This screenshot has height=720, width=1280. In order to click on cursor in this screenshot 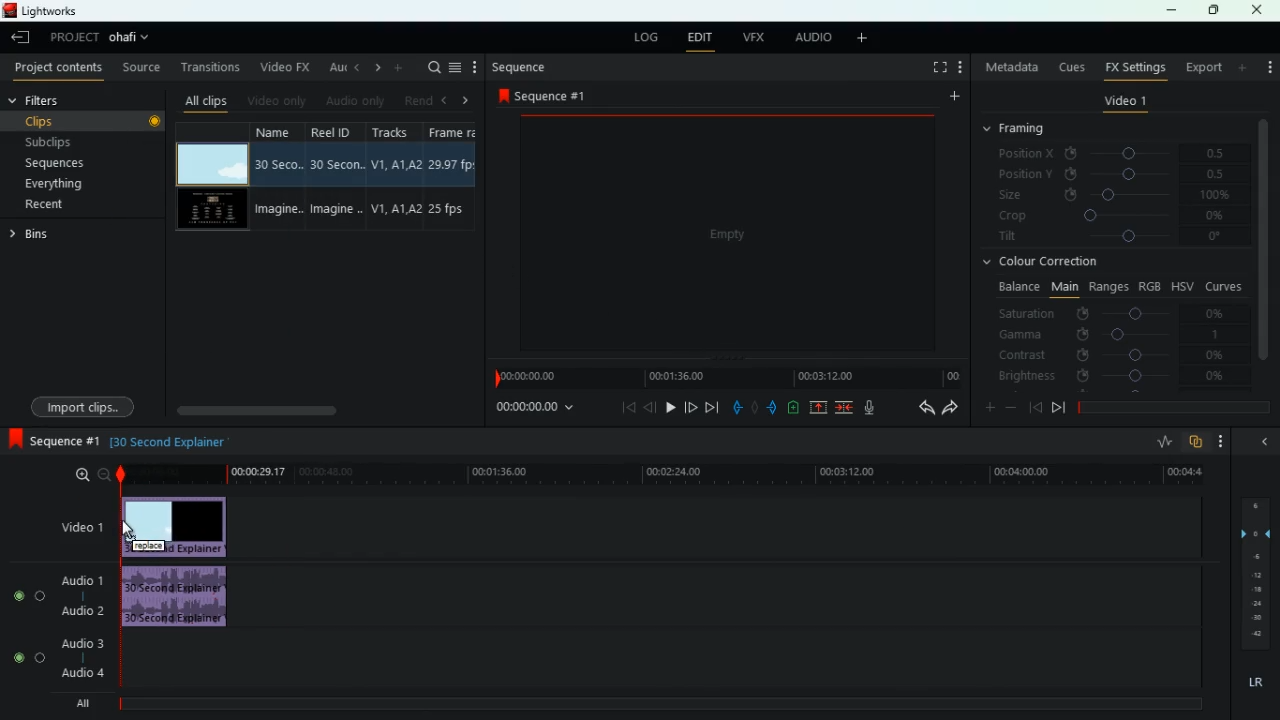, I will do `click(129, 530)`.